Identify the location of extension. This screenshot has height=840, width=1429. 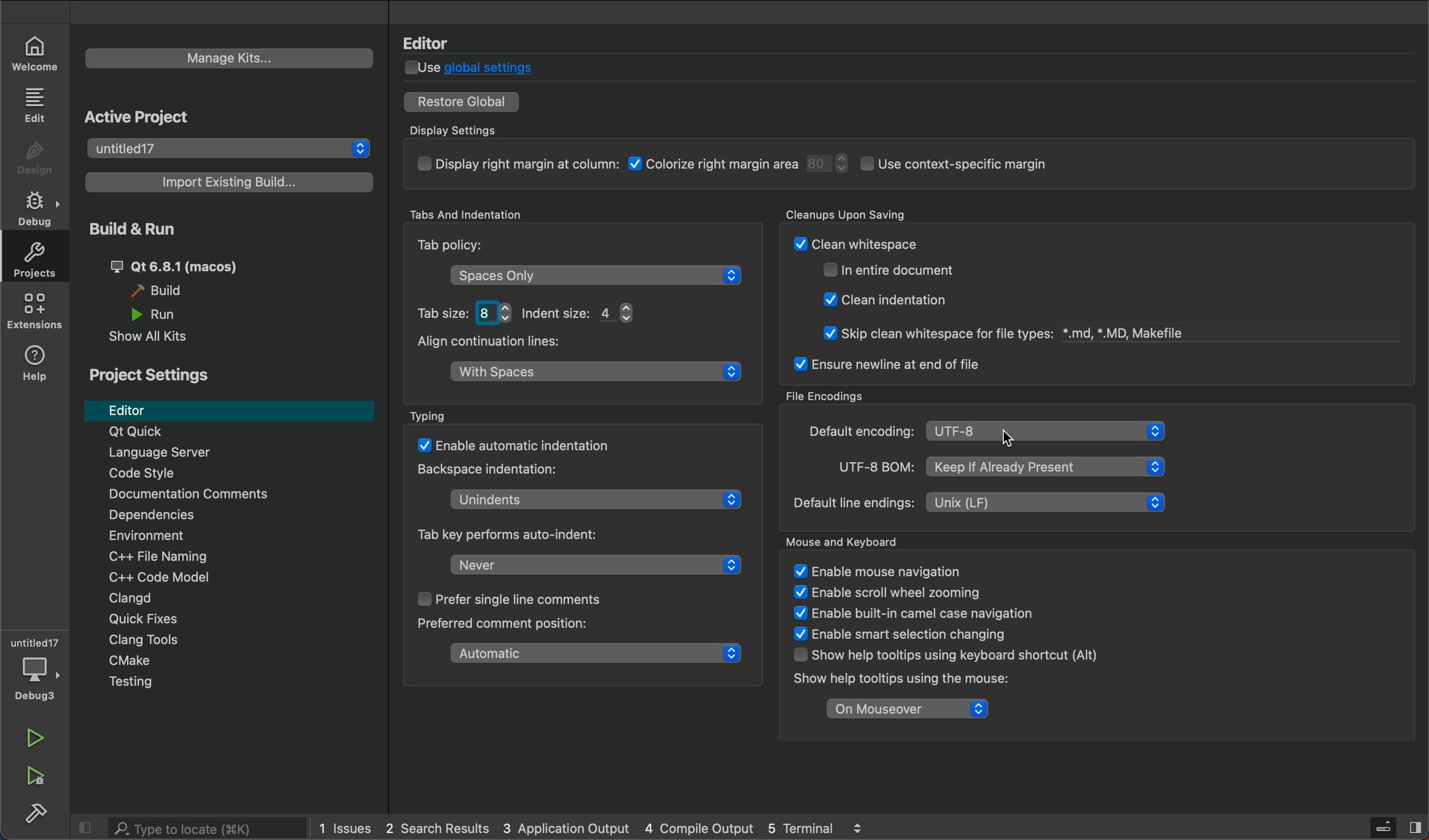
(35, 311).